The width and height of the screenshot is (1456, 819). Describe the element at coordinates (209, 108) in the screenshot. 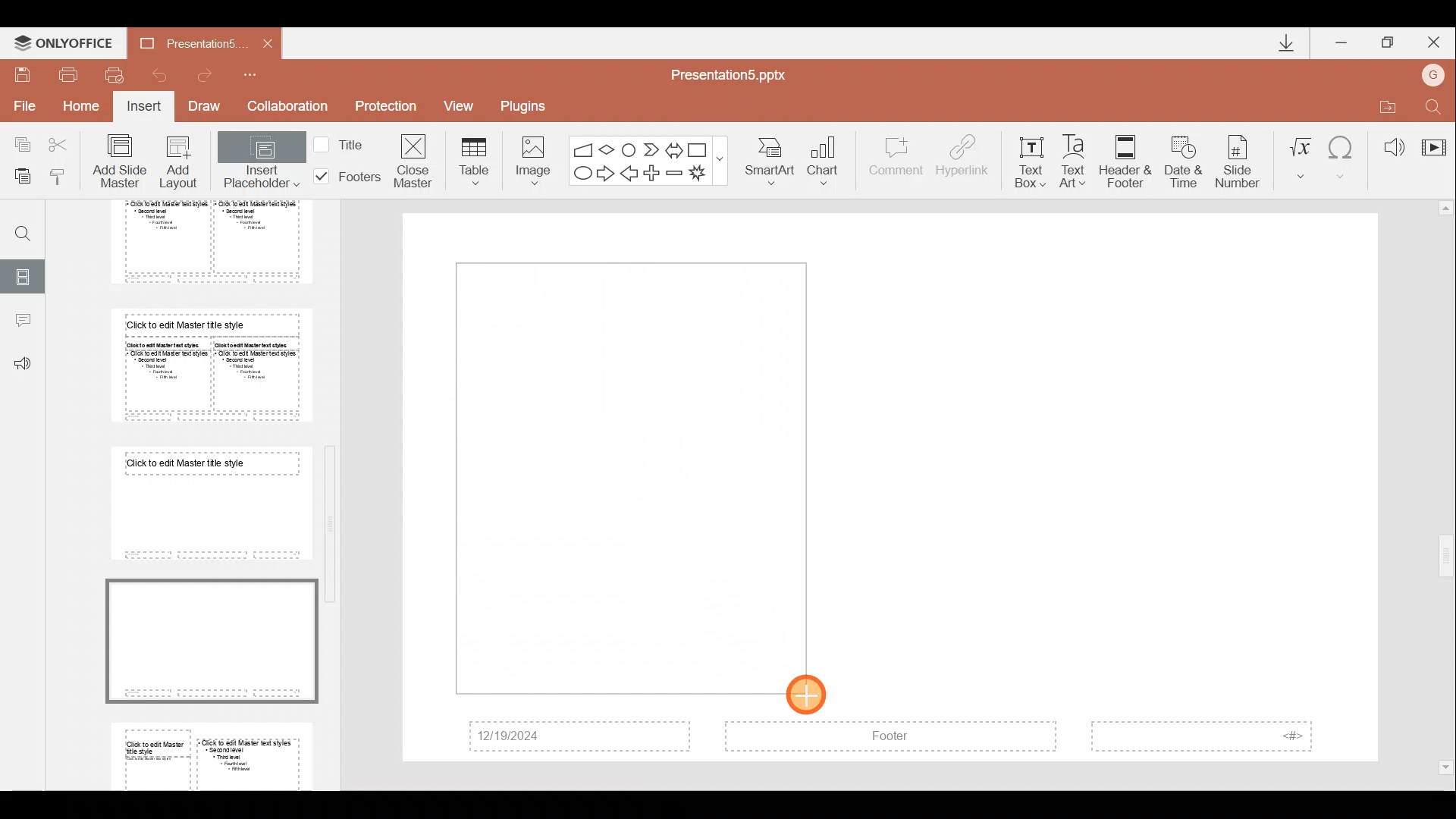

I see `Draw` at that location.